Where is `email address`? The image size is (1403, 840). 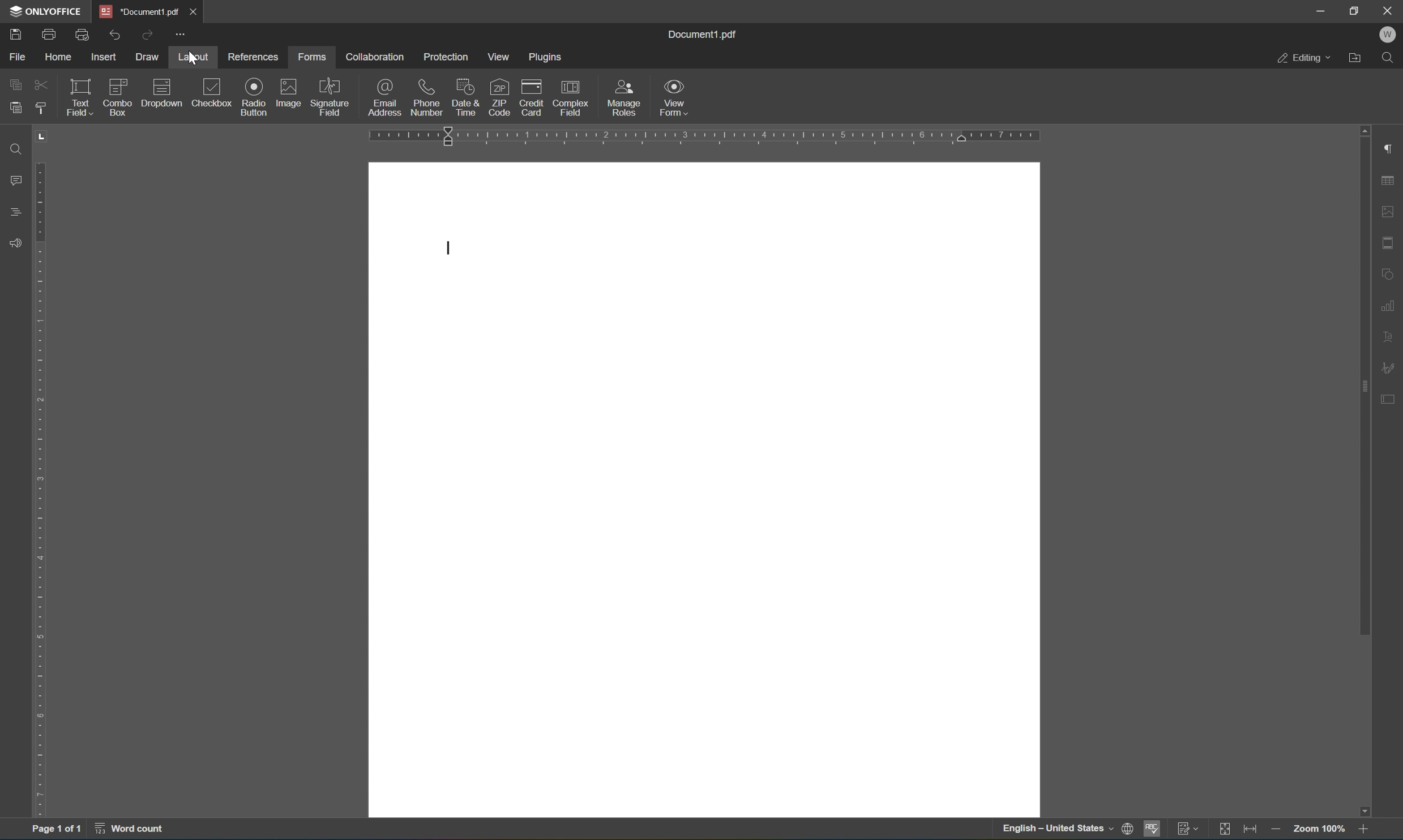
email address is located at coordinates (386, 96).